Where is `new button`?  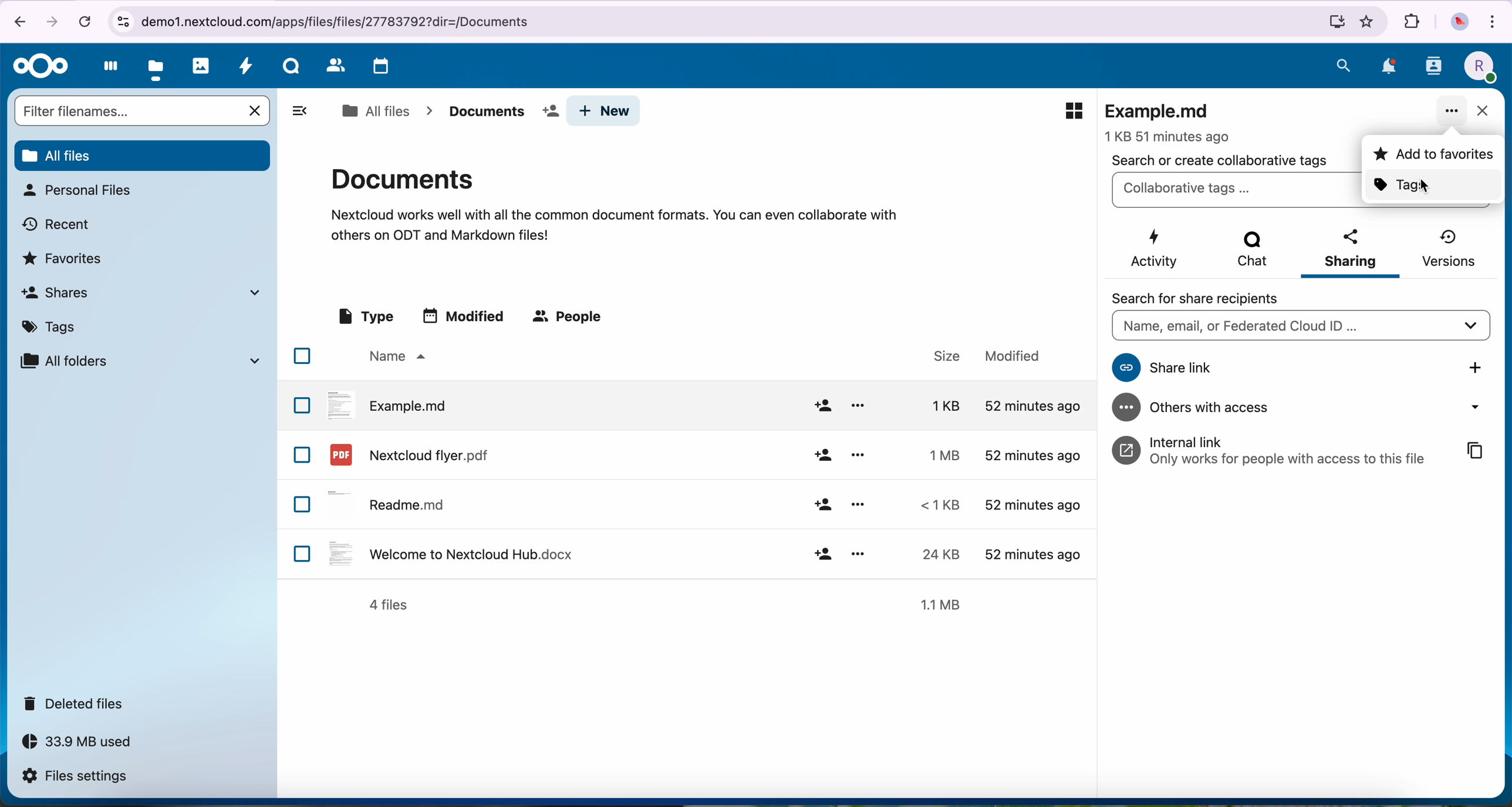 new button is located at coordinates (604, 111).